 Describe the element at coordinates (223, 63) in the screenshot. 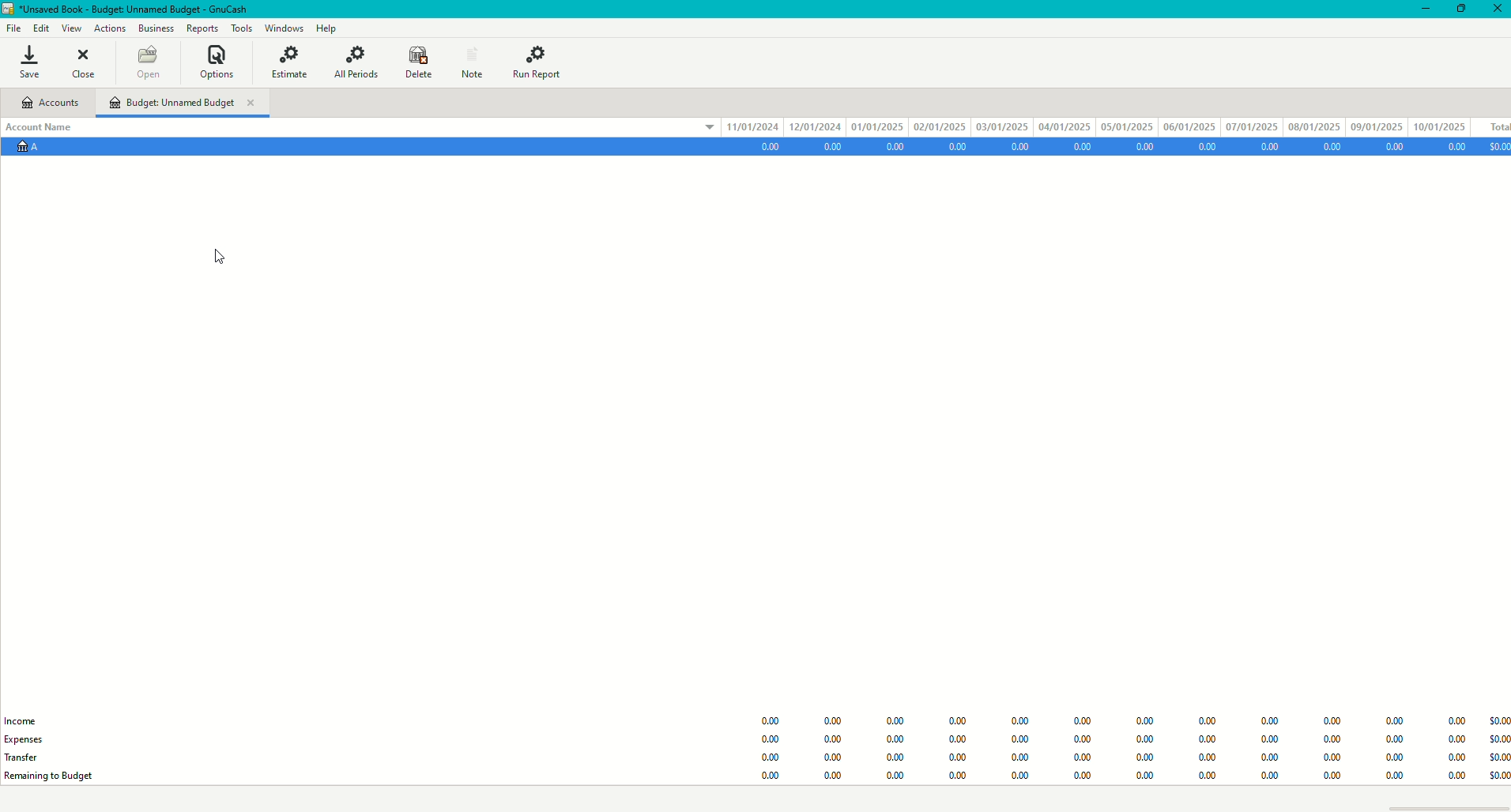

I see `Options` at that location.